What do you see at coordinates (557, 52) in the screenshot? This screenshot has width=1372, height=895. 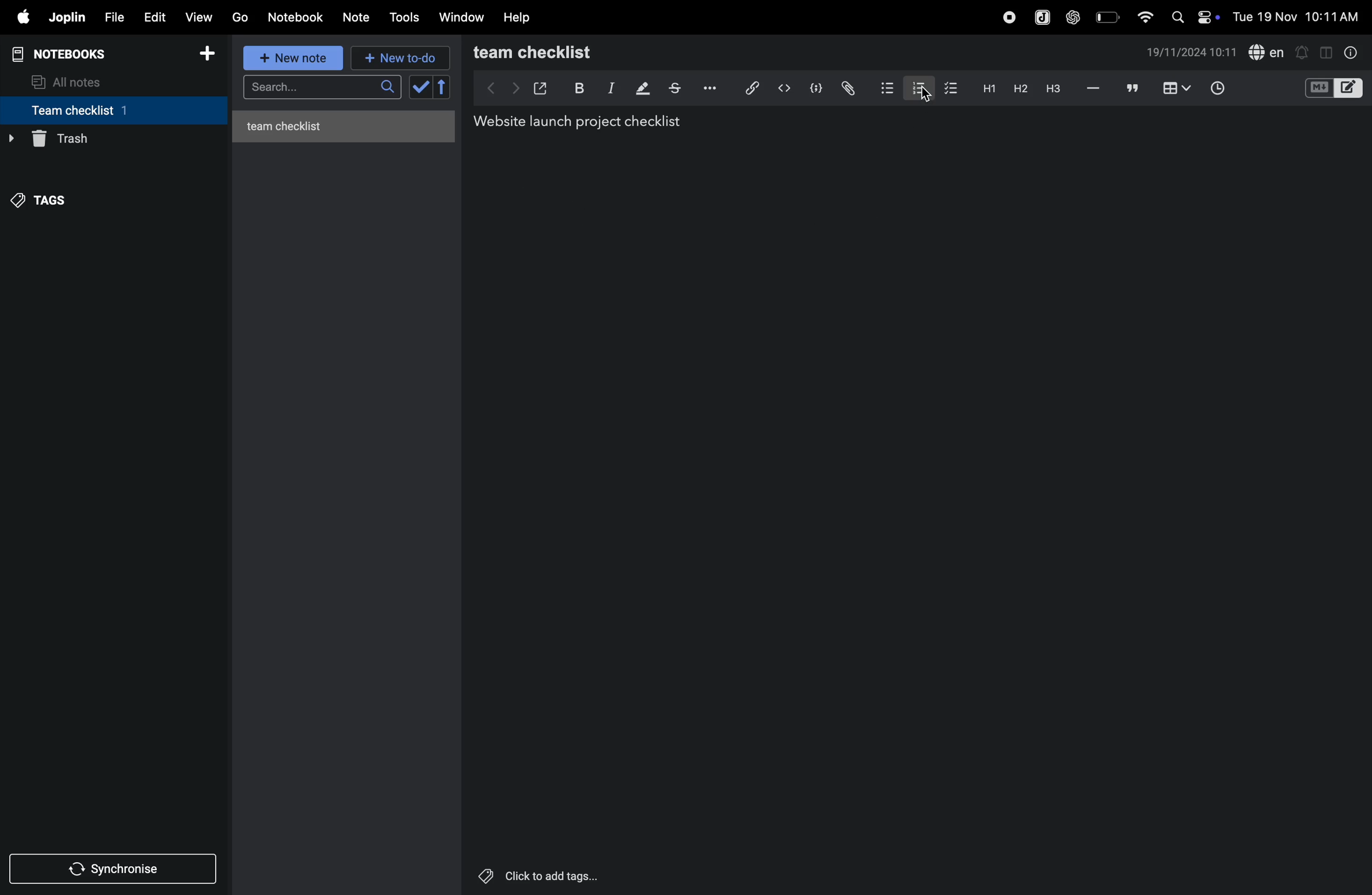 I see `team checklist` at bounding box center [557, 52].